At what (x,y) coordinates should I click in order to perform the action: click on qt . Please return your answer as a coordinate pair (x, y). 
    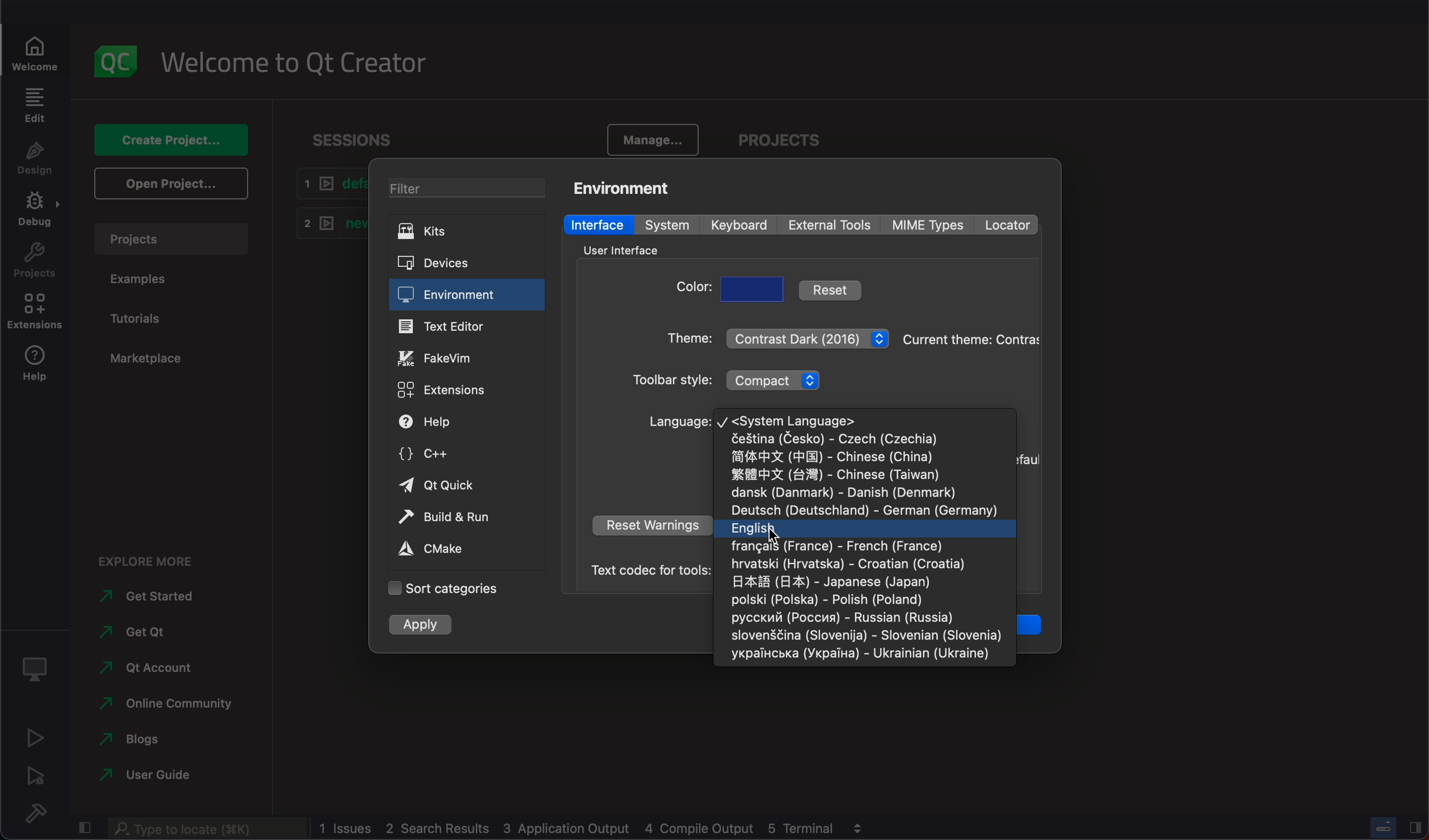
    Looking at the image, I should click on (466, 486).